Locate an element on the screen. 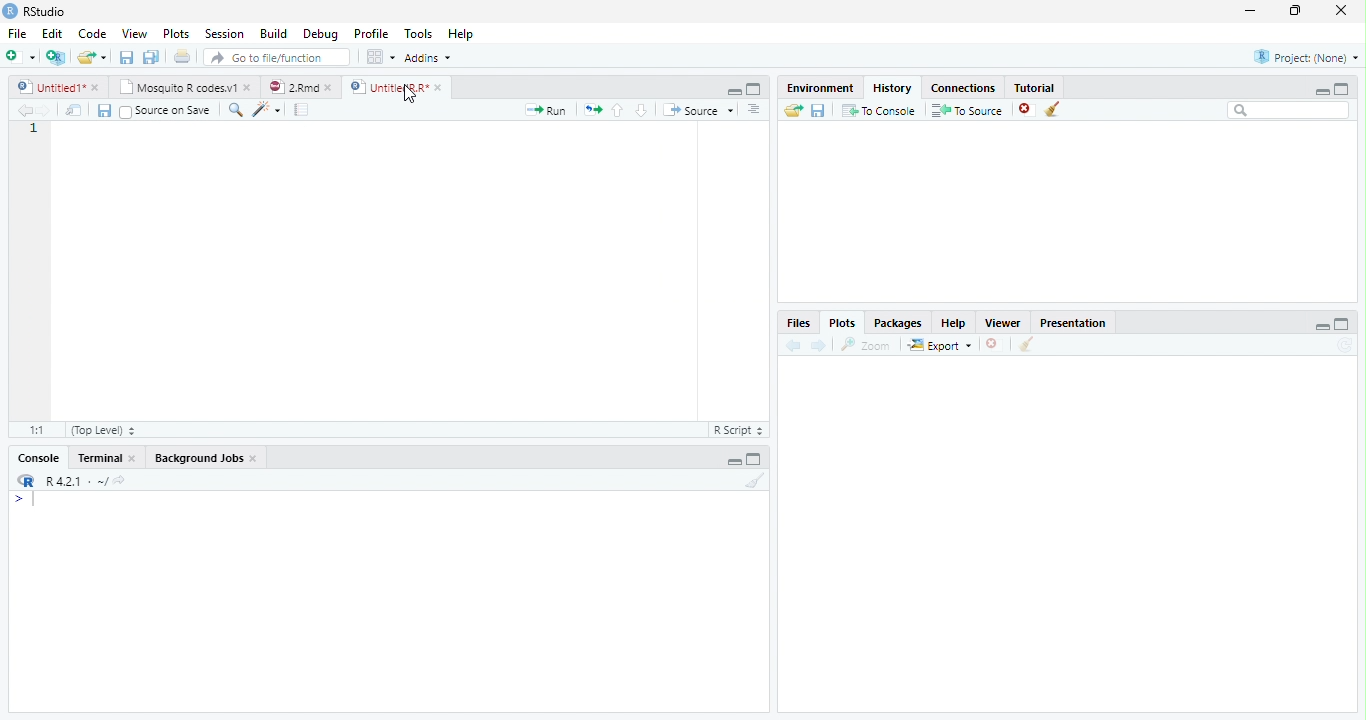 This screenshot has height=720, width=1366. Remove the selected history entries is located at coordinates (1026, 109).